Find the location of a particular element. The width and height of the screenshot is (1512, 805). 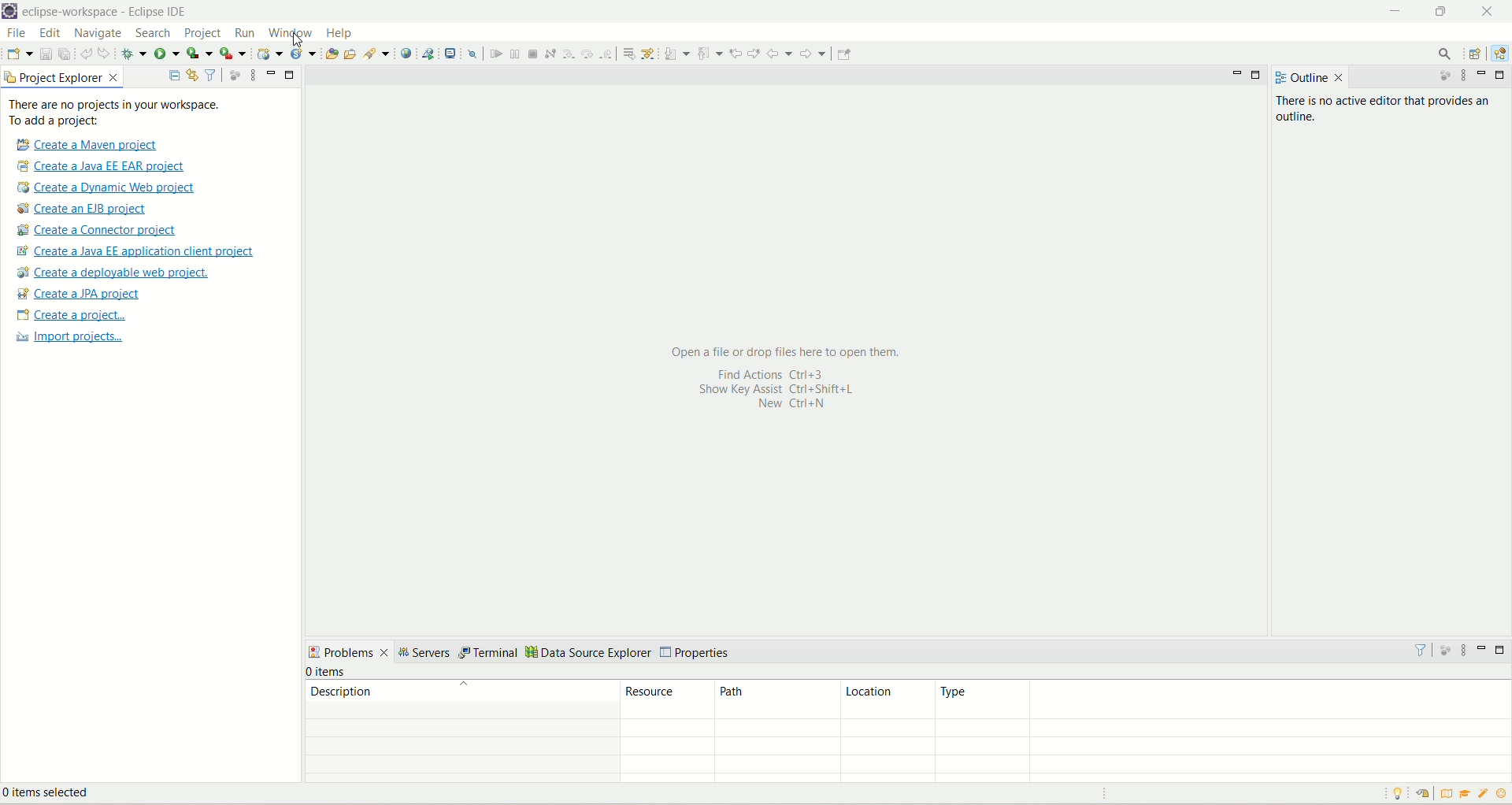

window is located at coordinates (290, 32).